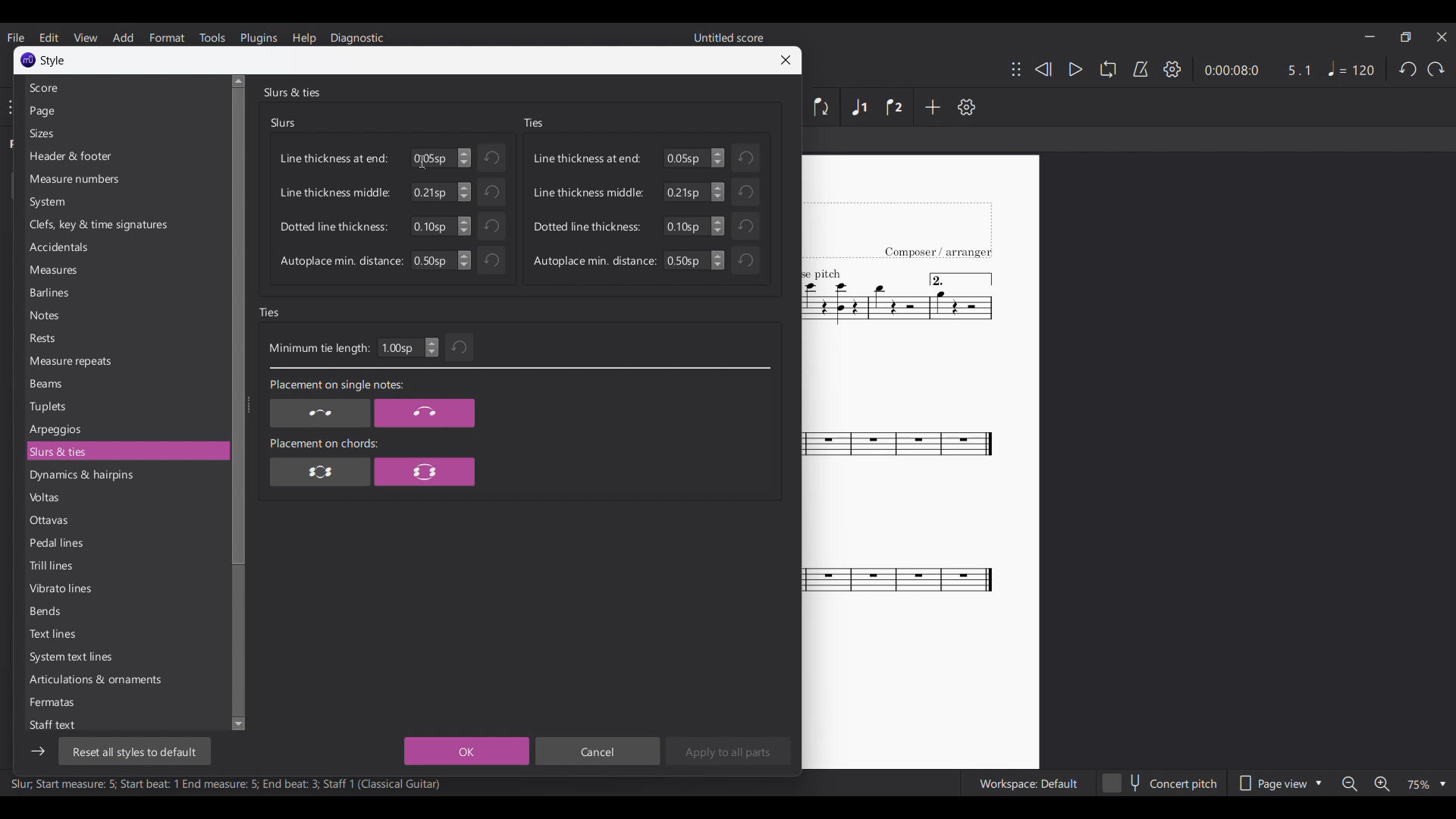  I want to click on Slurs, so click(284, 123).